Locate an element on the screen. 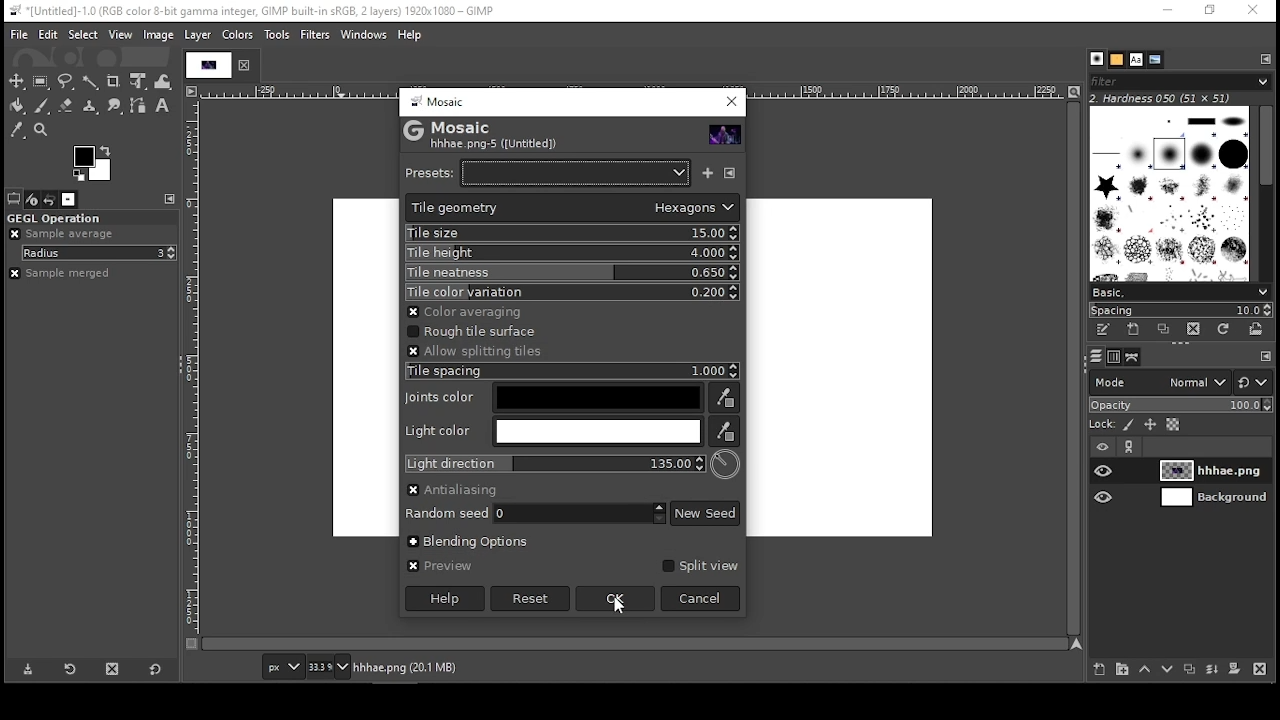 Image resolution: width=1280 pixels, height=720 pixels. cancel is located at coordinates (702, 599).